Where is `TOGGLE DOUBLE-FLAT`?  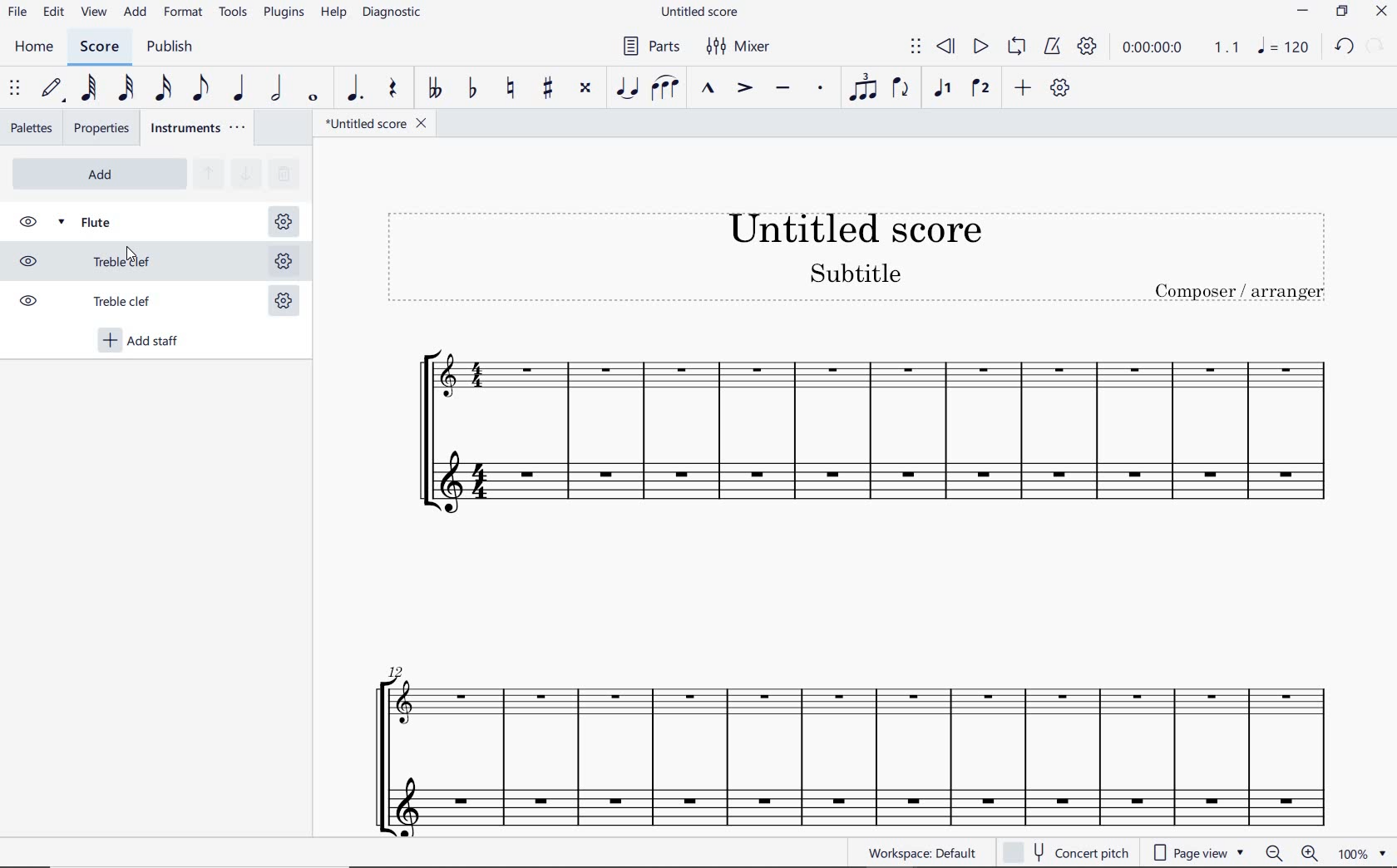
TOGGLE DOUBLE-FLAT is located at coordinates (433, 89).